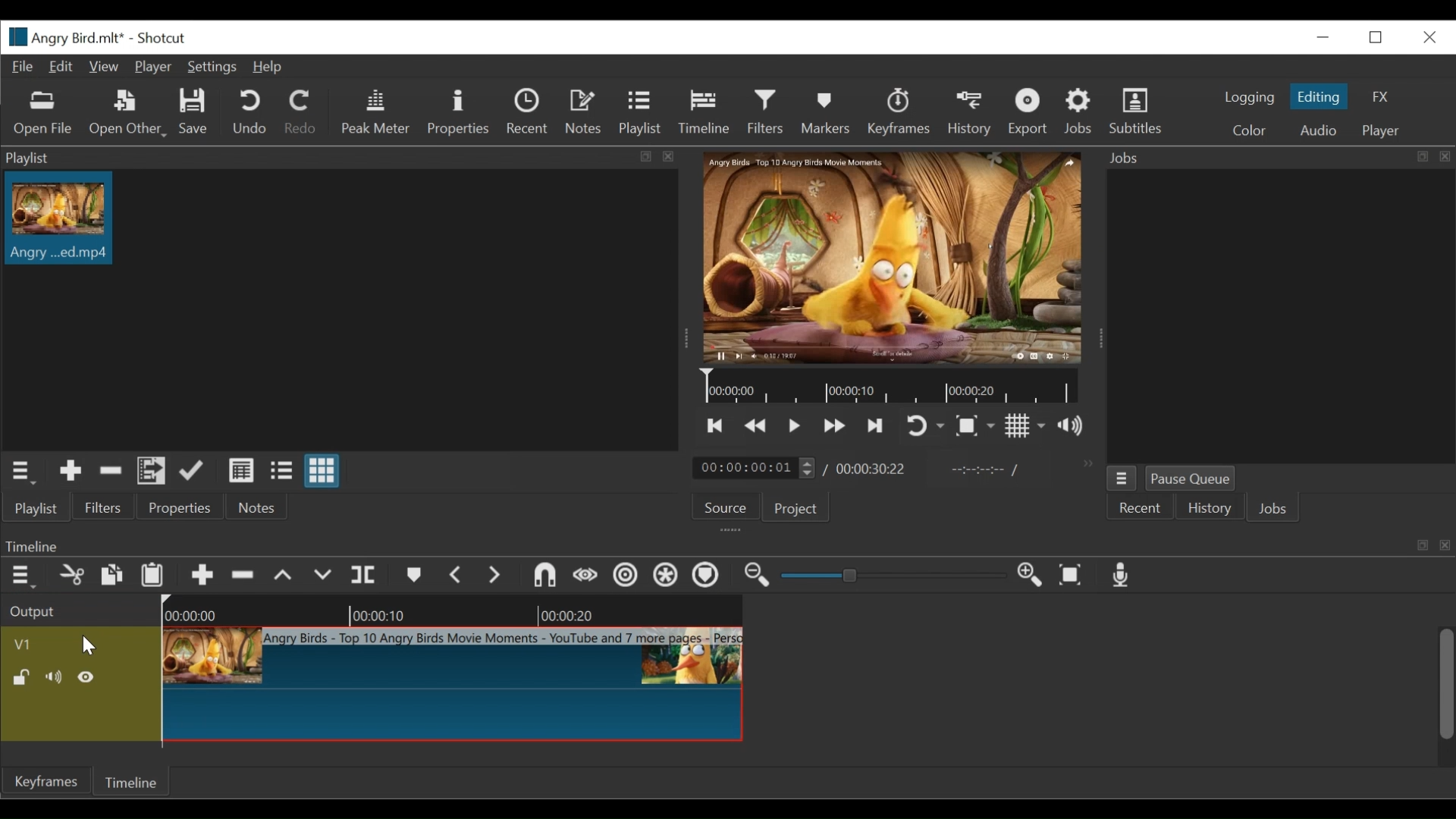 This screenshot has width=1456, height=819. Describe the element at coordinates (1319, 96) in the screenshot. I see `Editing` at that location.